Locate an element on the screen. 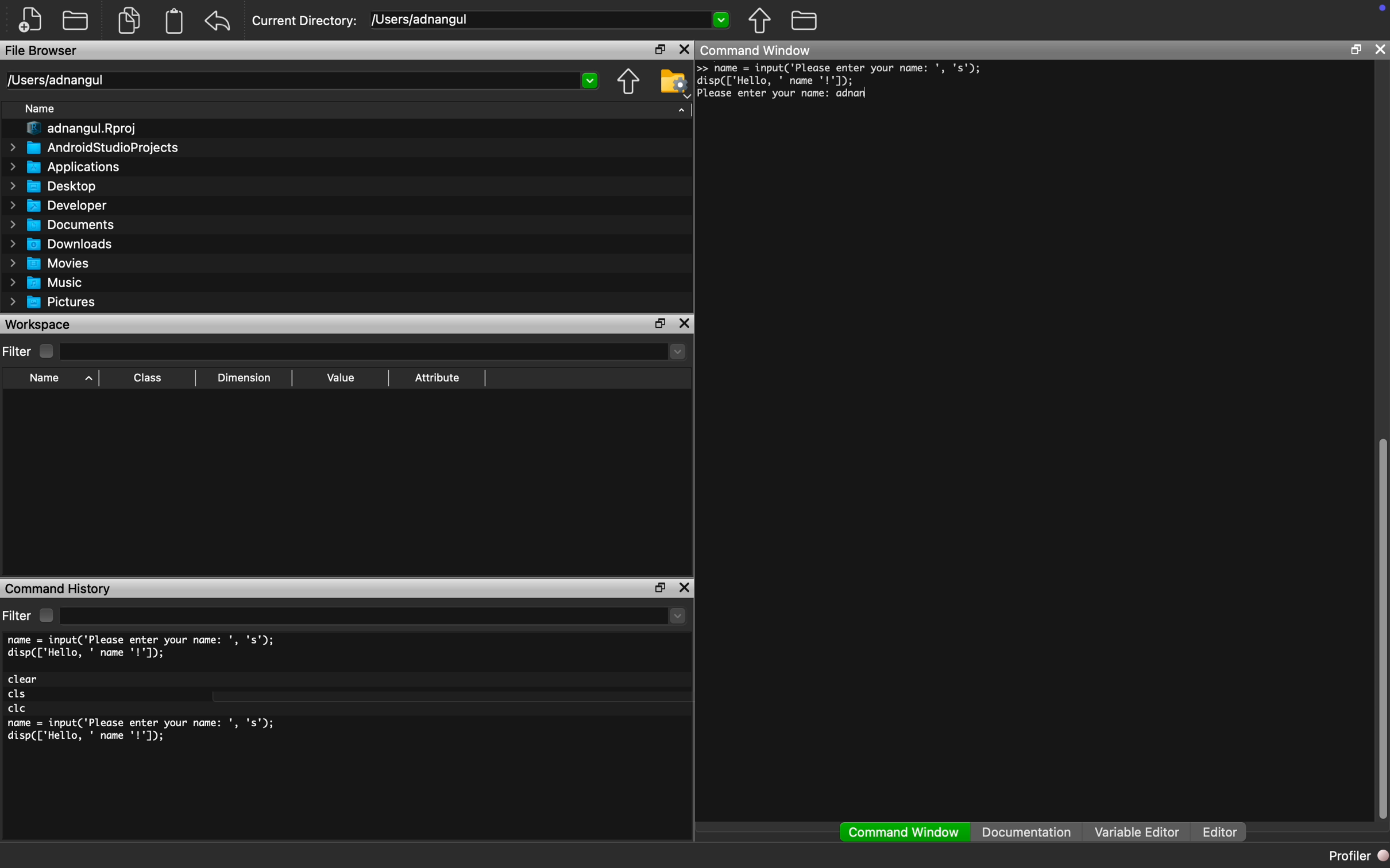  Previous file is located at coordinates (628, 82).